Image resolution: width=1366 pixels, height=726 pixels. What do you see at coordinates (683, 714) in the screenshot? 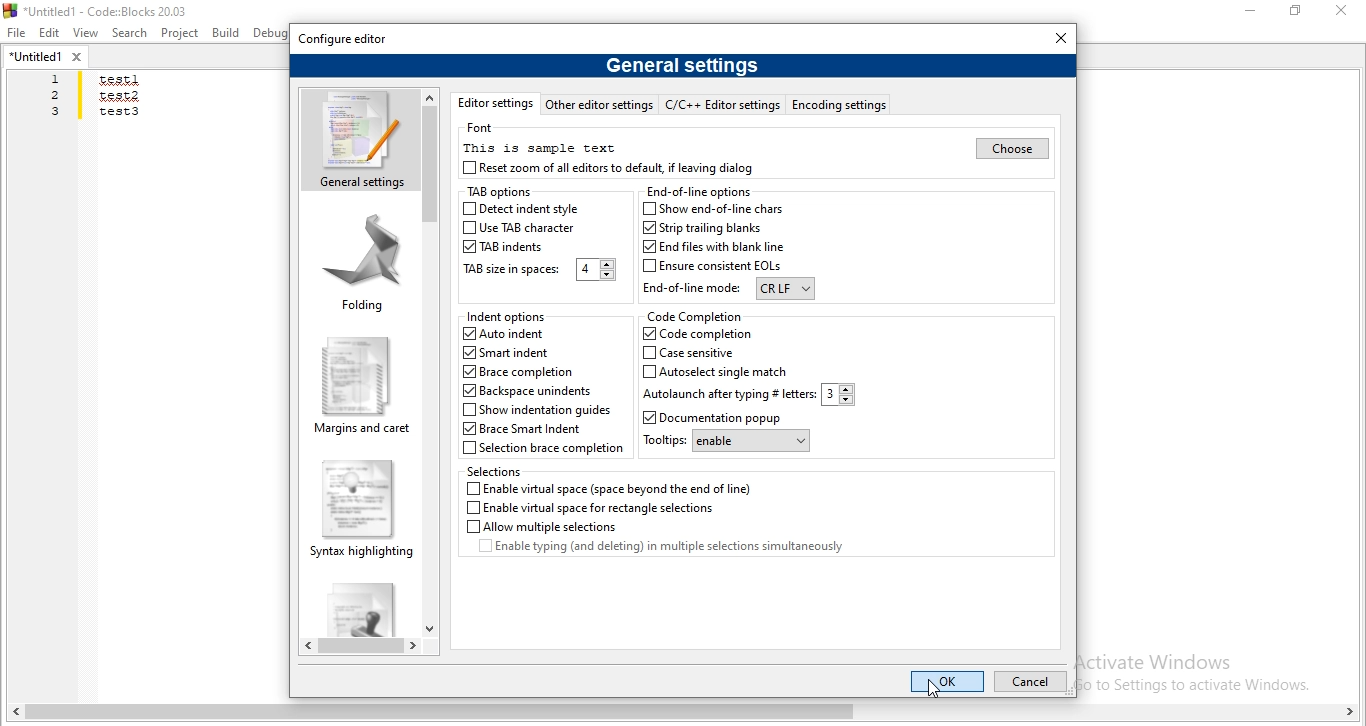
I see `scroll bar` at bounding box center [683, 714].